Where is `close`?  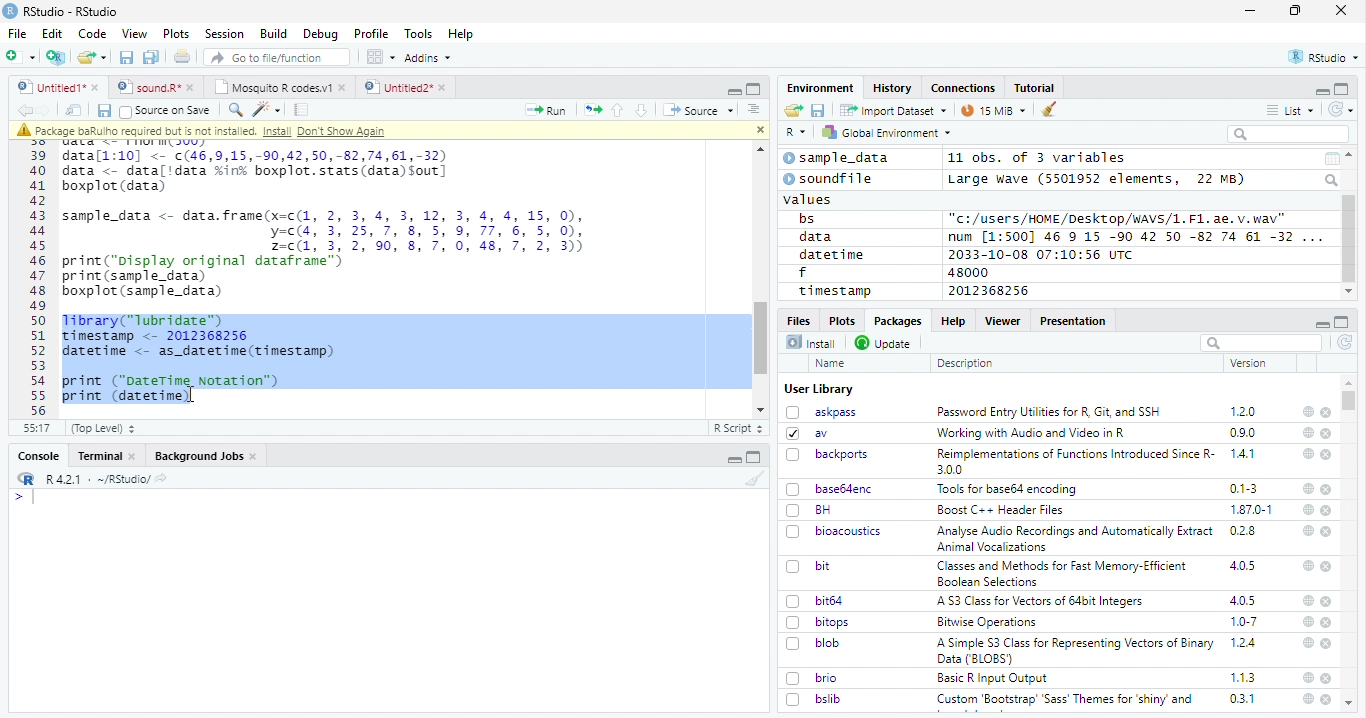
close is located at coordinates (1328, 602).